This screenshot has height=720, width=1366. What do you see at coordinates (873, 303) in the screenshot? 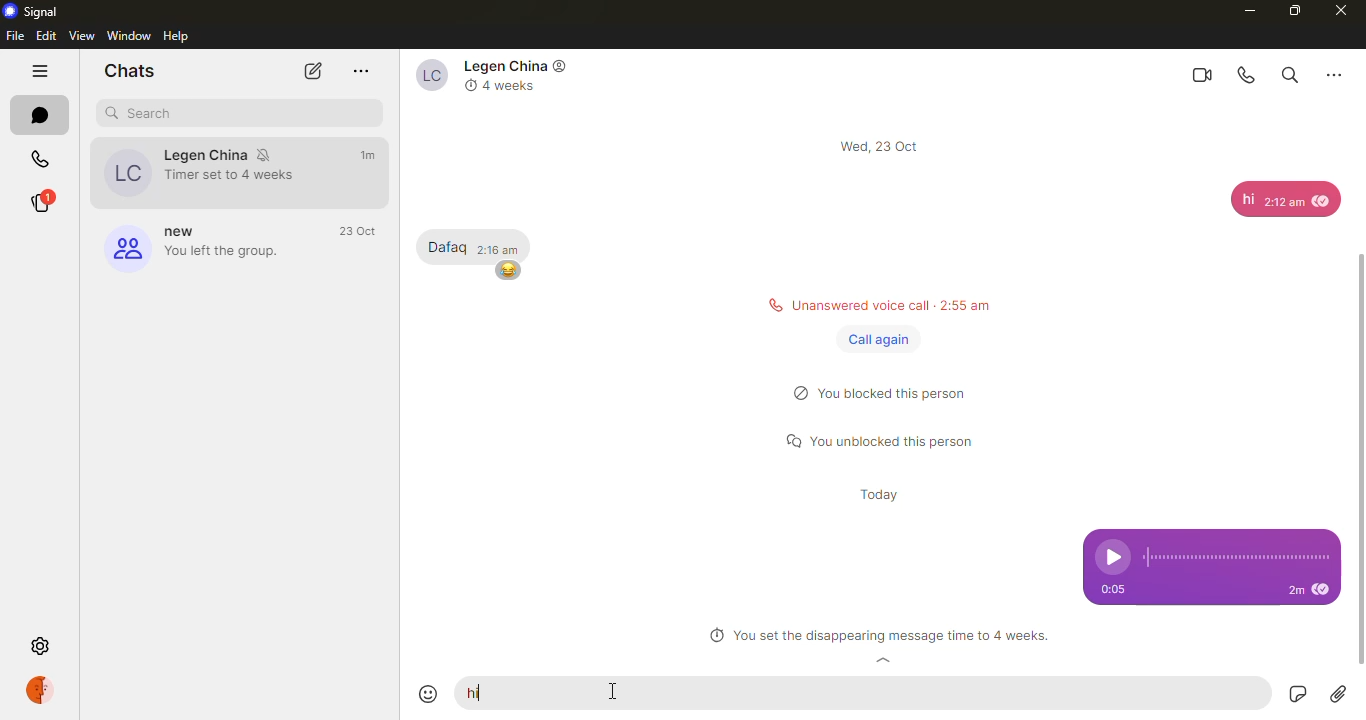
I see ` Unanswered voice call - 2:55 am` at bounding box center [873, 303].